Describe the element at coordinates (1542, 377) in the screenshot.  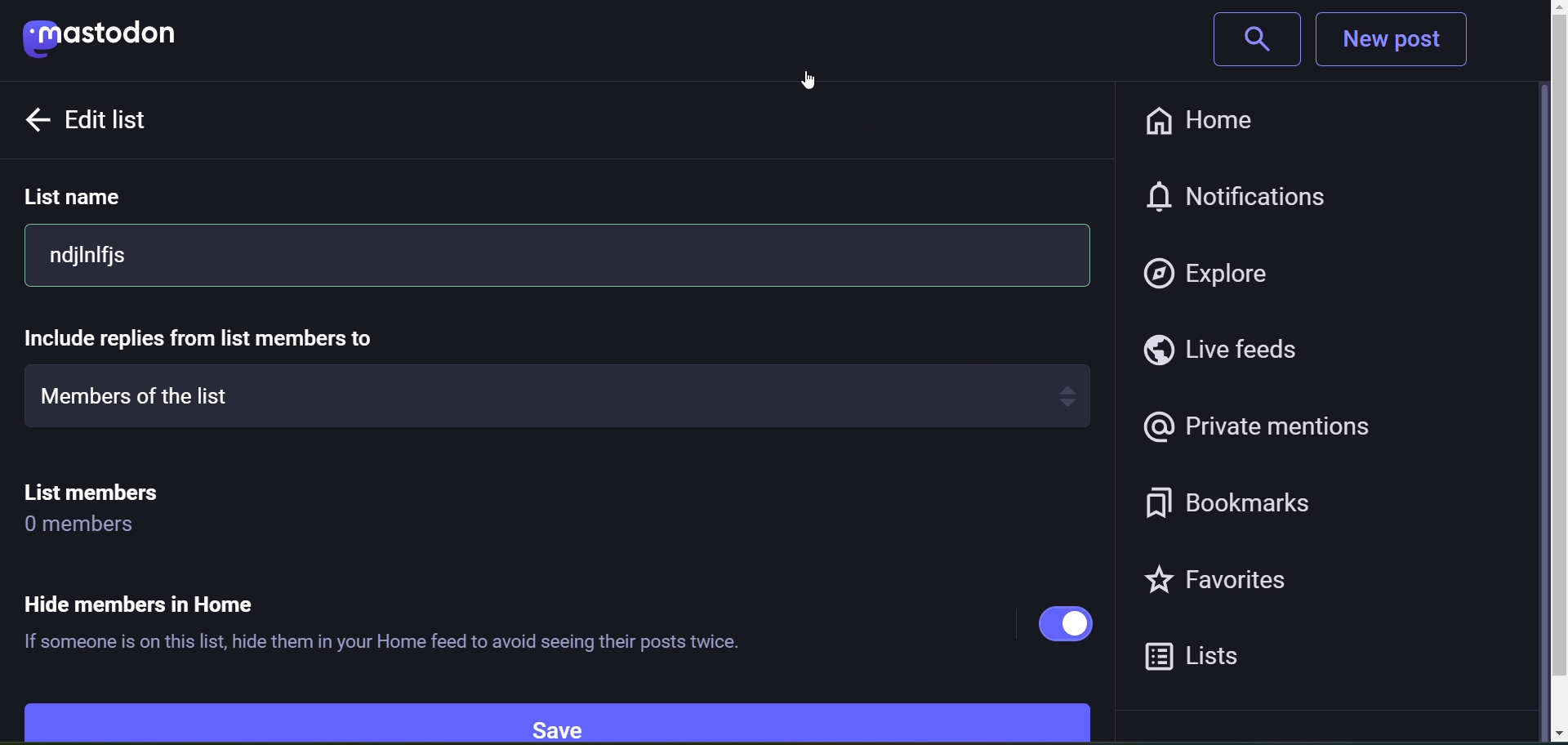
I see `scroll bar` at that location.